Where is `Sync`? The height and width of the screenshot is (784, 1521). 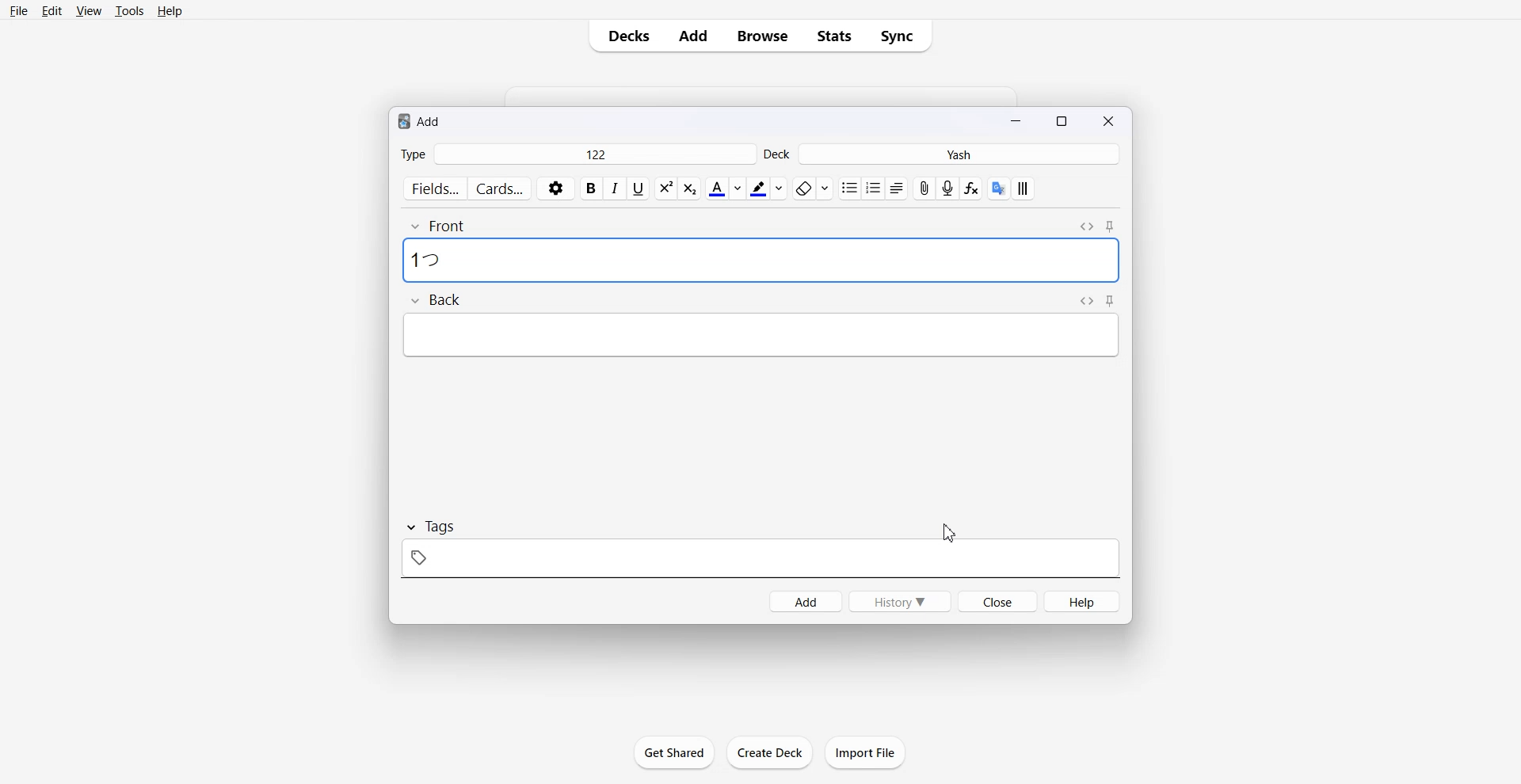
Sync is located at coordinates (902, 36).